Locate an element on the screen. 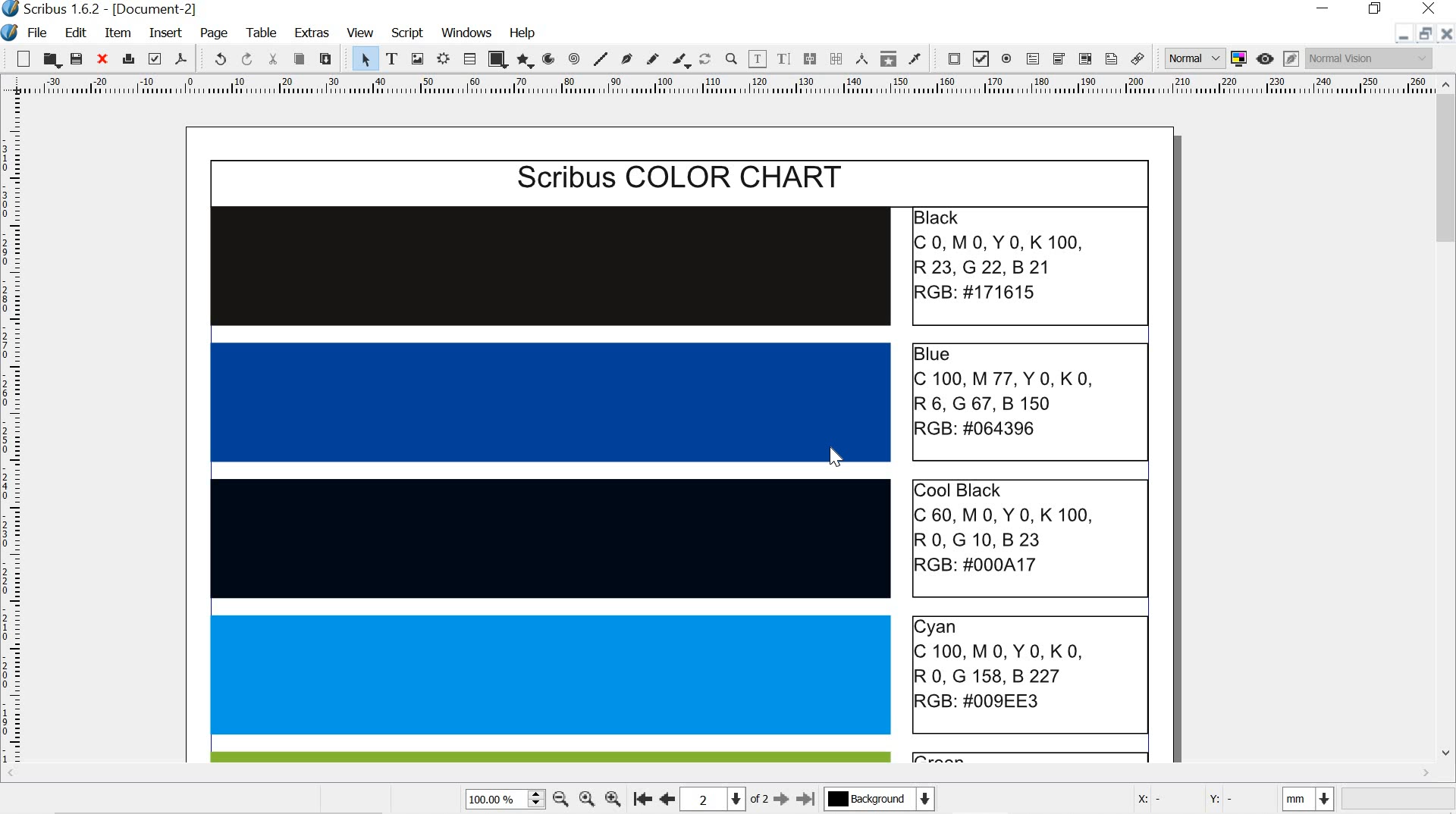 This screenshot has width=1456, height=814. 2 of 2 is located at coordinates (724, 798).